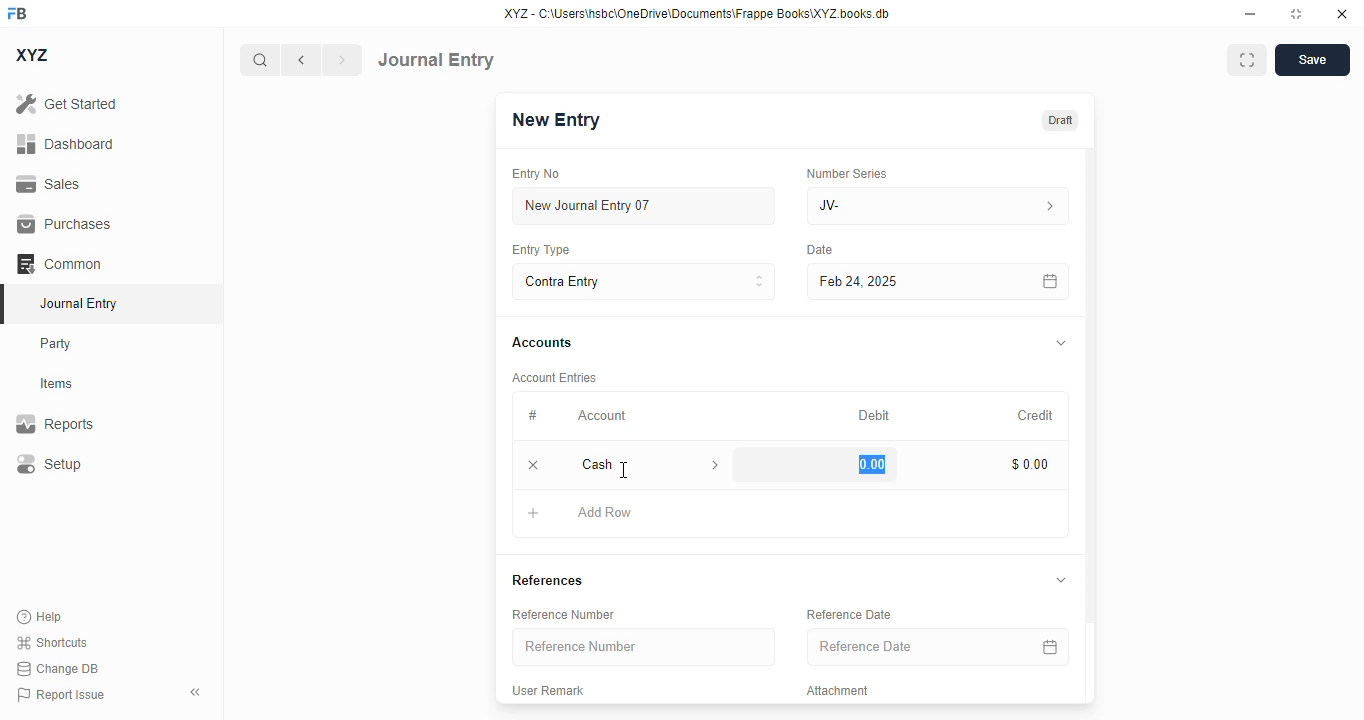 Image resolution: width=1364 pixels, height=720 pixels. Describe the element at coordinates (712, 464) in the screenshot. I see `account information` at that location.